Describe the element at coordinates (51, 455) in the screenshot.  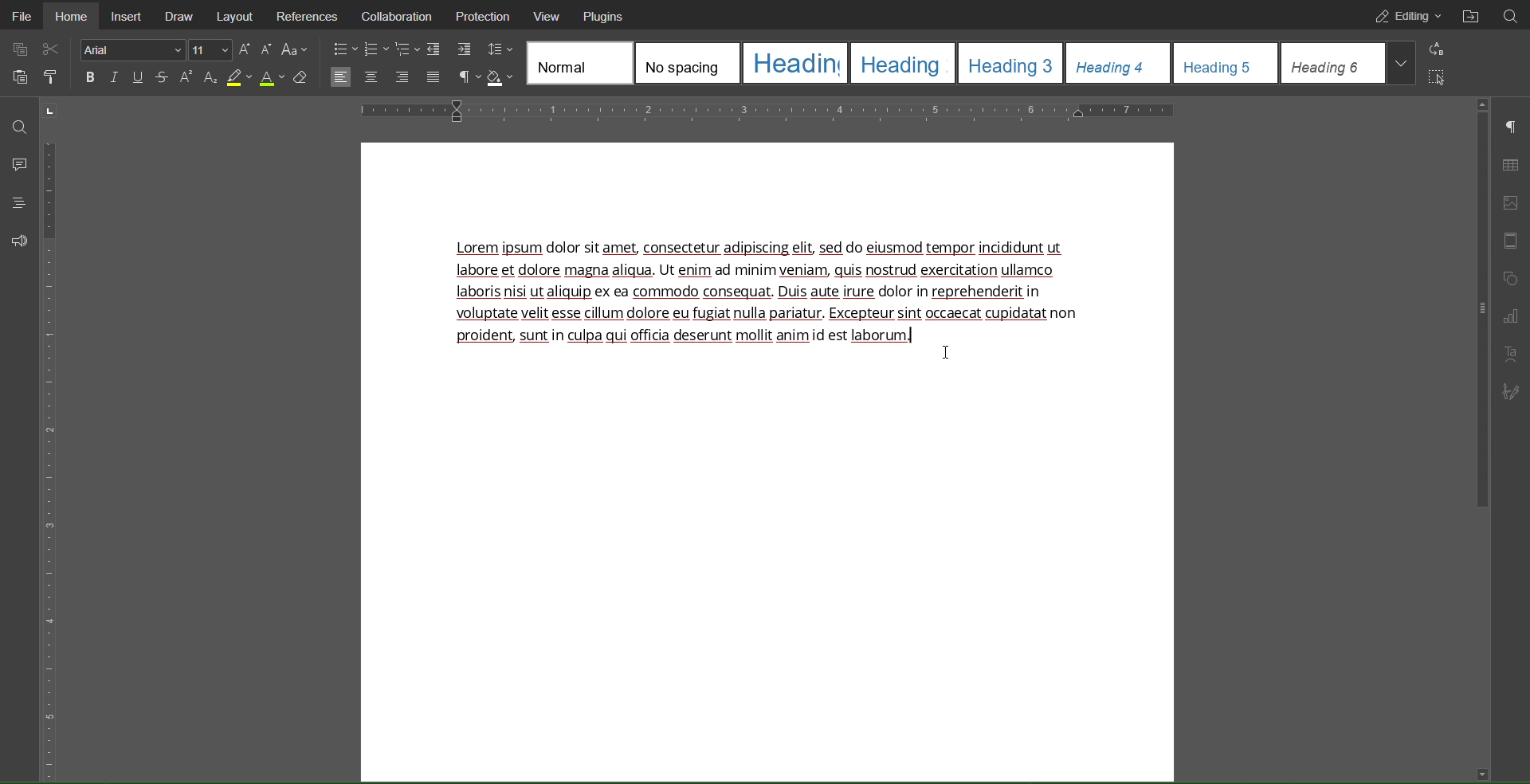
I see `Vertical Ruler` at that location.